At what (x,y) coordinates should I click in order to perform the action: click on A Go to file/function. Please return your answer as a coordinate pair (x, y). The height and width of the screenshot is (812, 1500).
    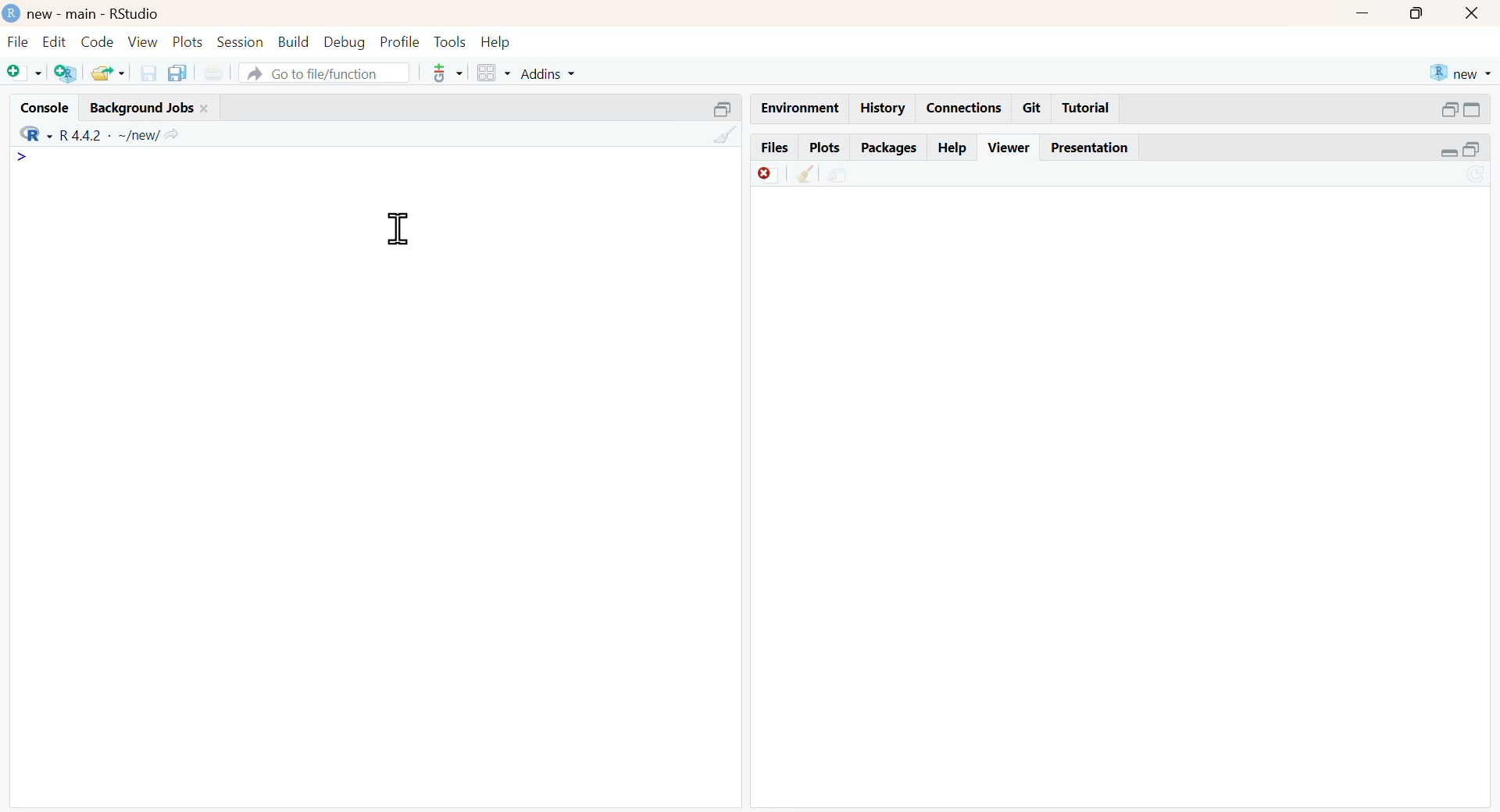
    Looking at the image, I should click on (323, 73).